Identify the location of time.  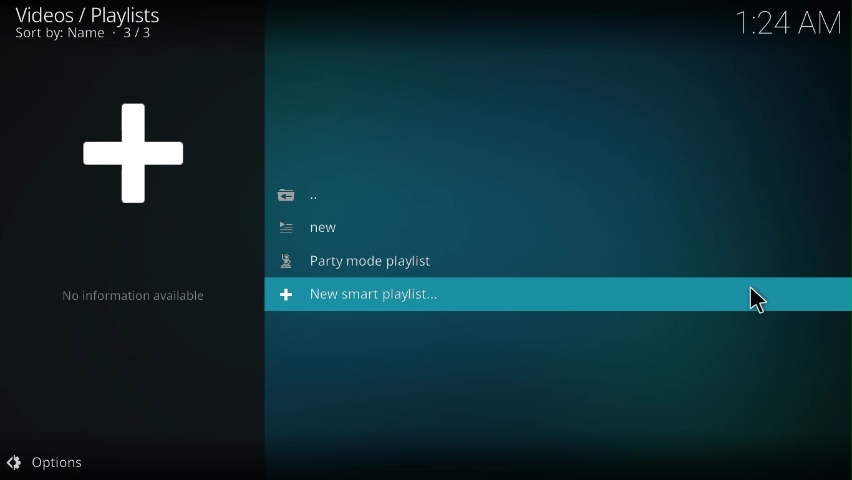
(792, 20).